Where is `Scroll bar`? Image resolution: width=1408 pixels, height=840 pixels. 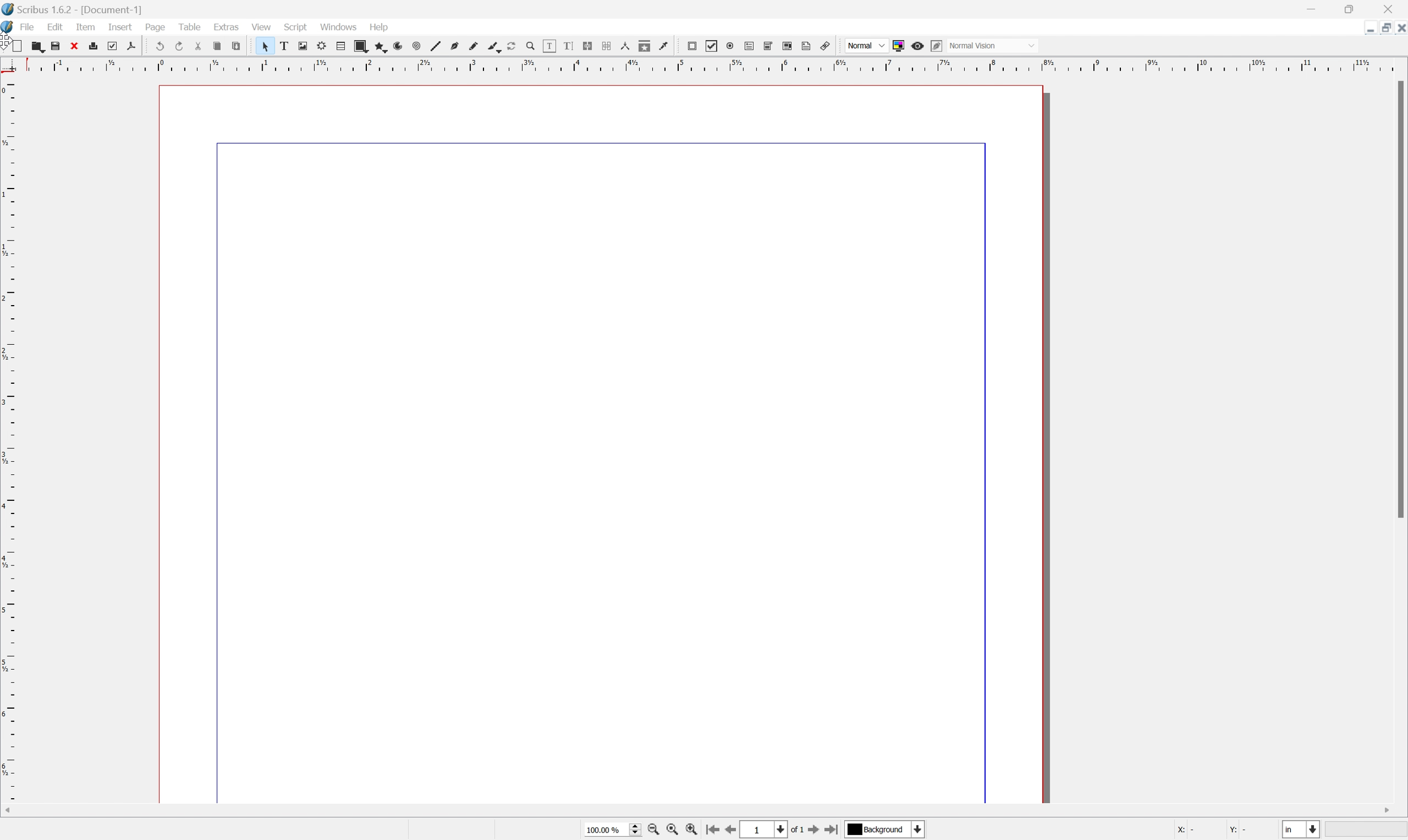 Scroll bar is located at coordinates (1399, 298).